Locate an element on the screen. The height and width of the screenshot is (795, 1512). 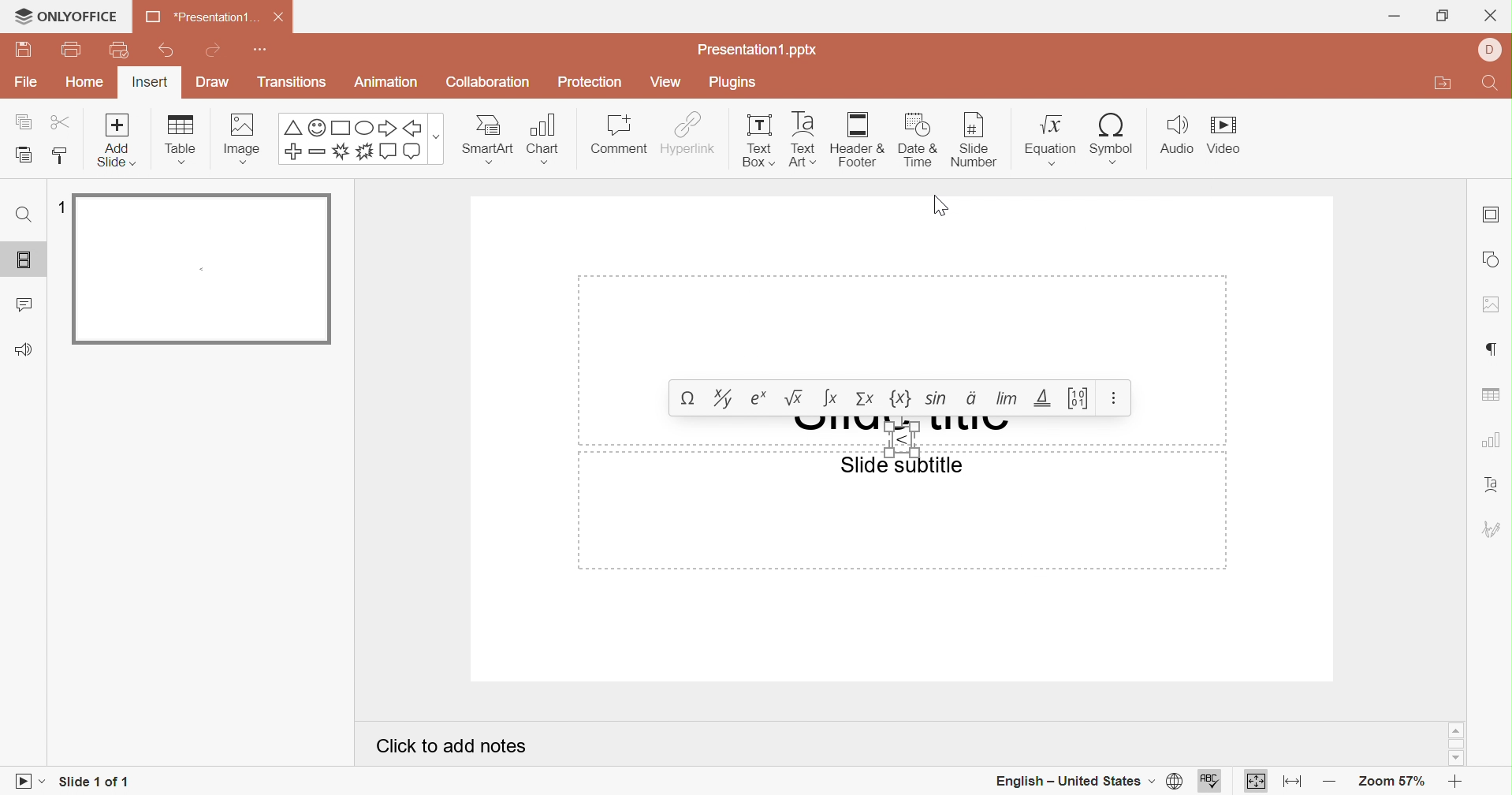
Collaboration is located at coordinates (488, 82).